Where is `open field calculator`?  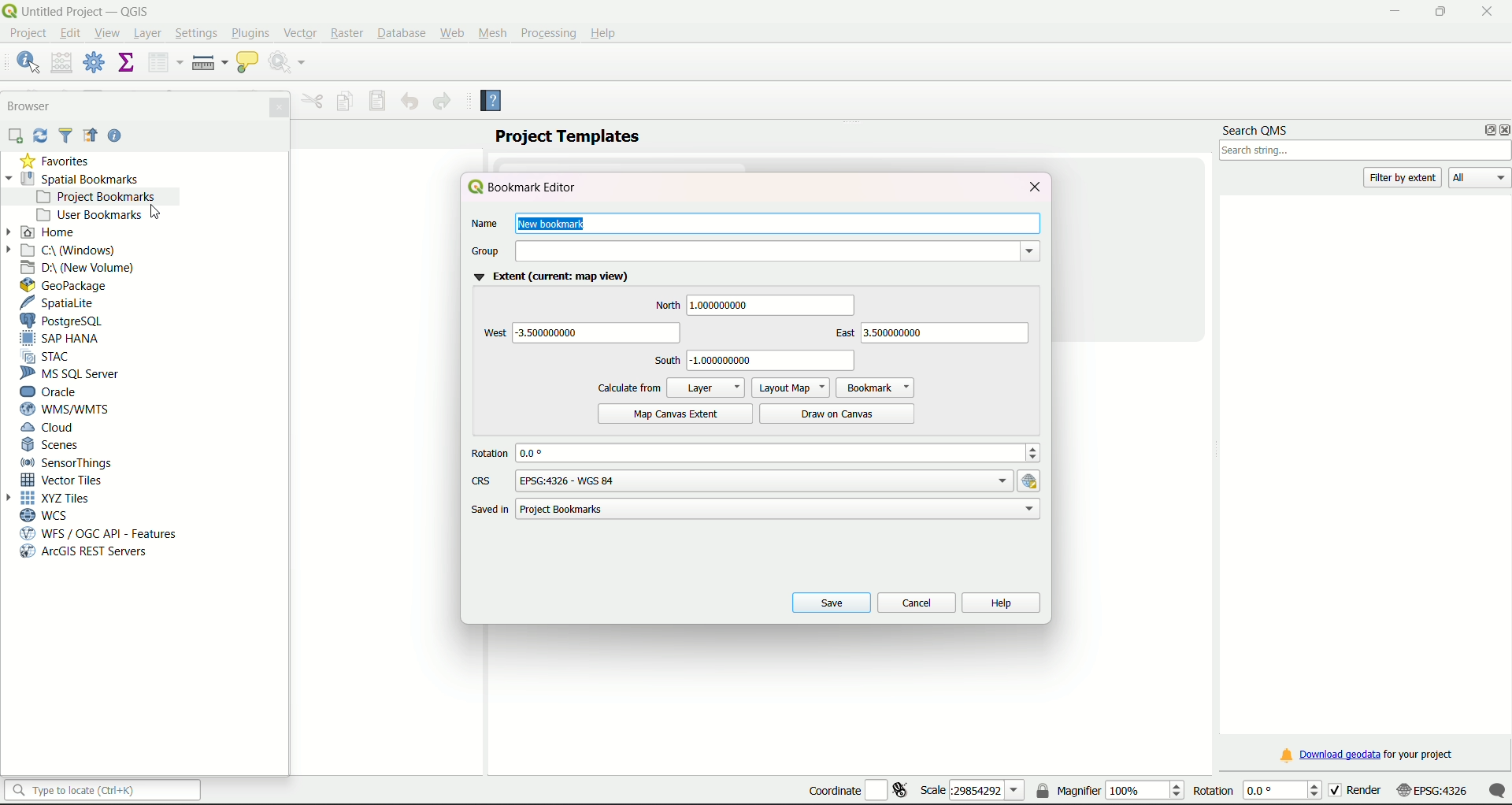
open field calculator is located at coordinates (62, 61).